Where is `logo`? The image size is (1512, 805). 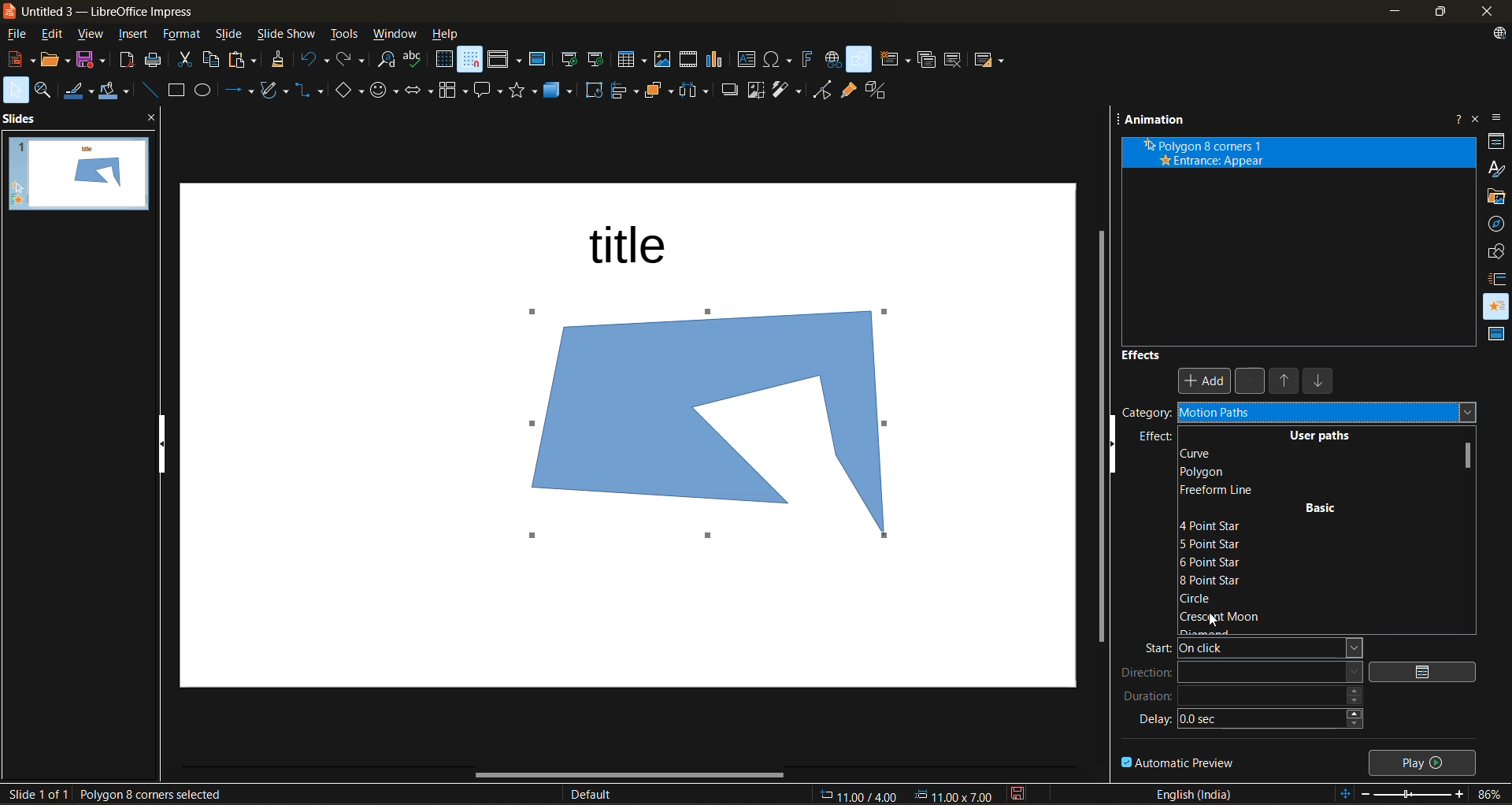
logo is located at coordinates (9, 12).